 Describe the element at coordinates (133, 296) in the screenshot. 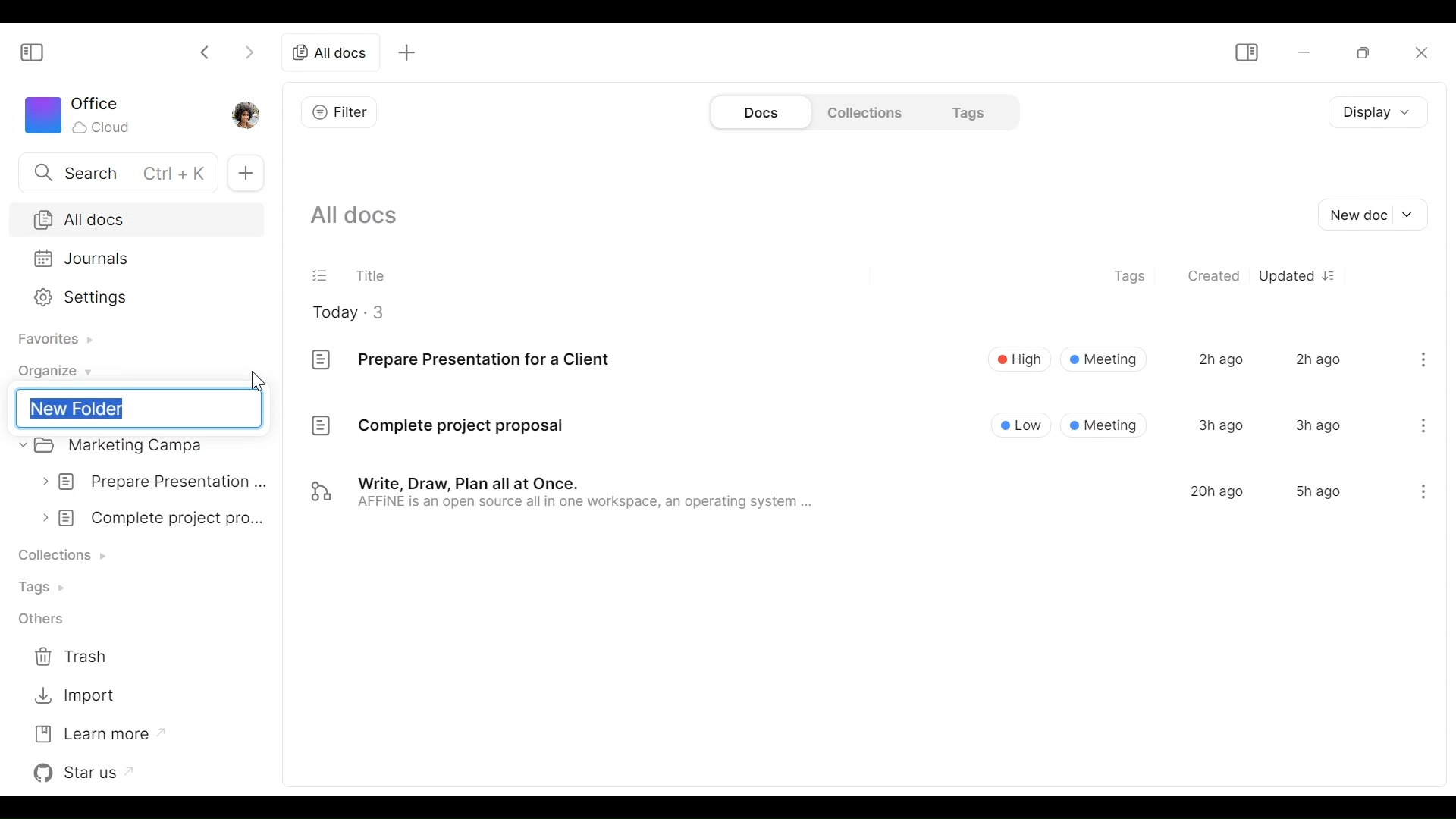

I see `Settings` at that location.